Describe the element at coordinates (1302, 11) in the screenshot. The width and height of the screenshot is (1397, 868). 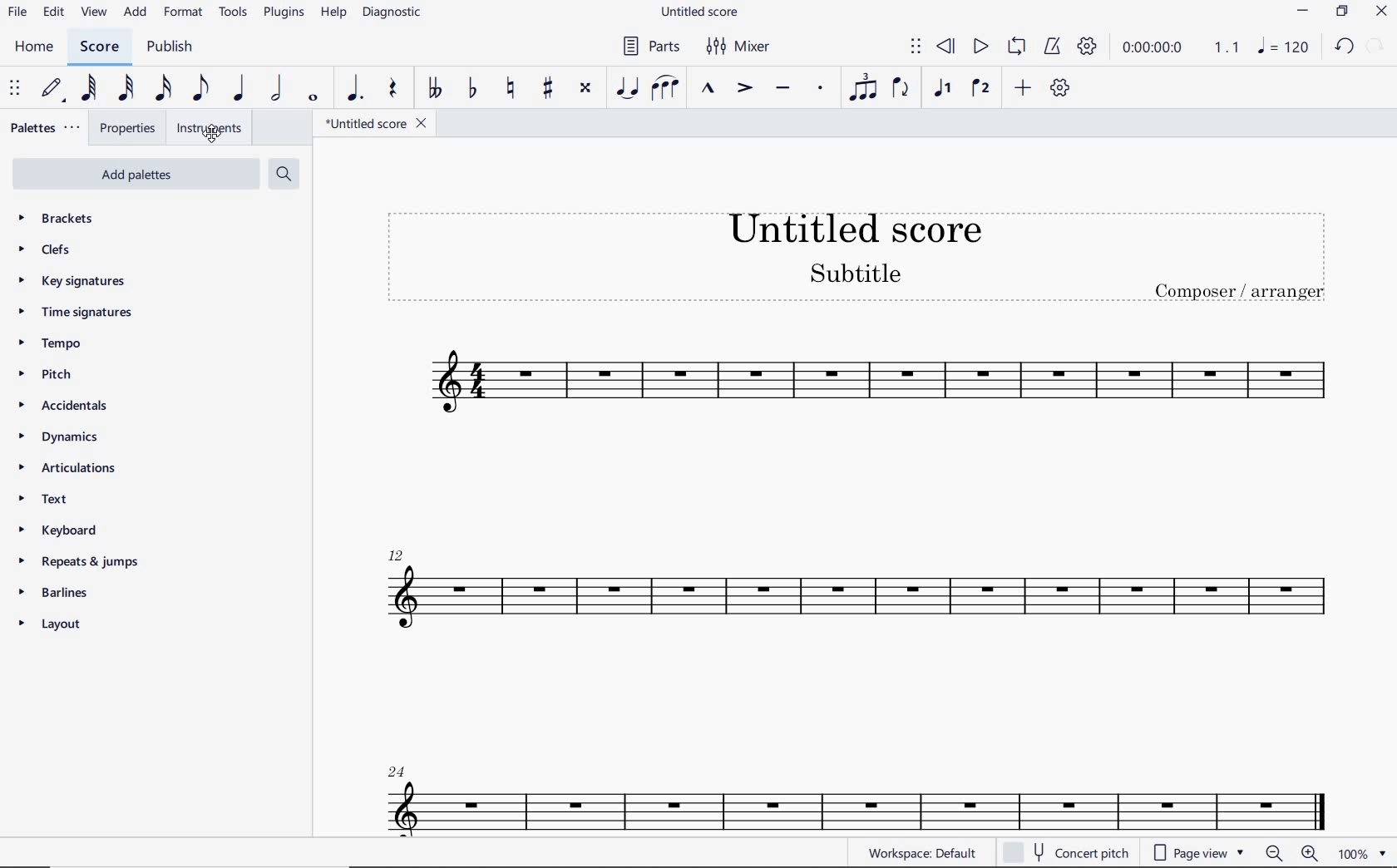
I see `minimize` at that location.